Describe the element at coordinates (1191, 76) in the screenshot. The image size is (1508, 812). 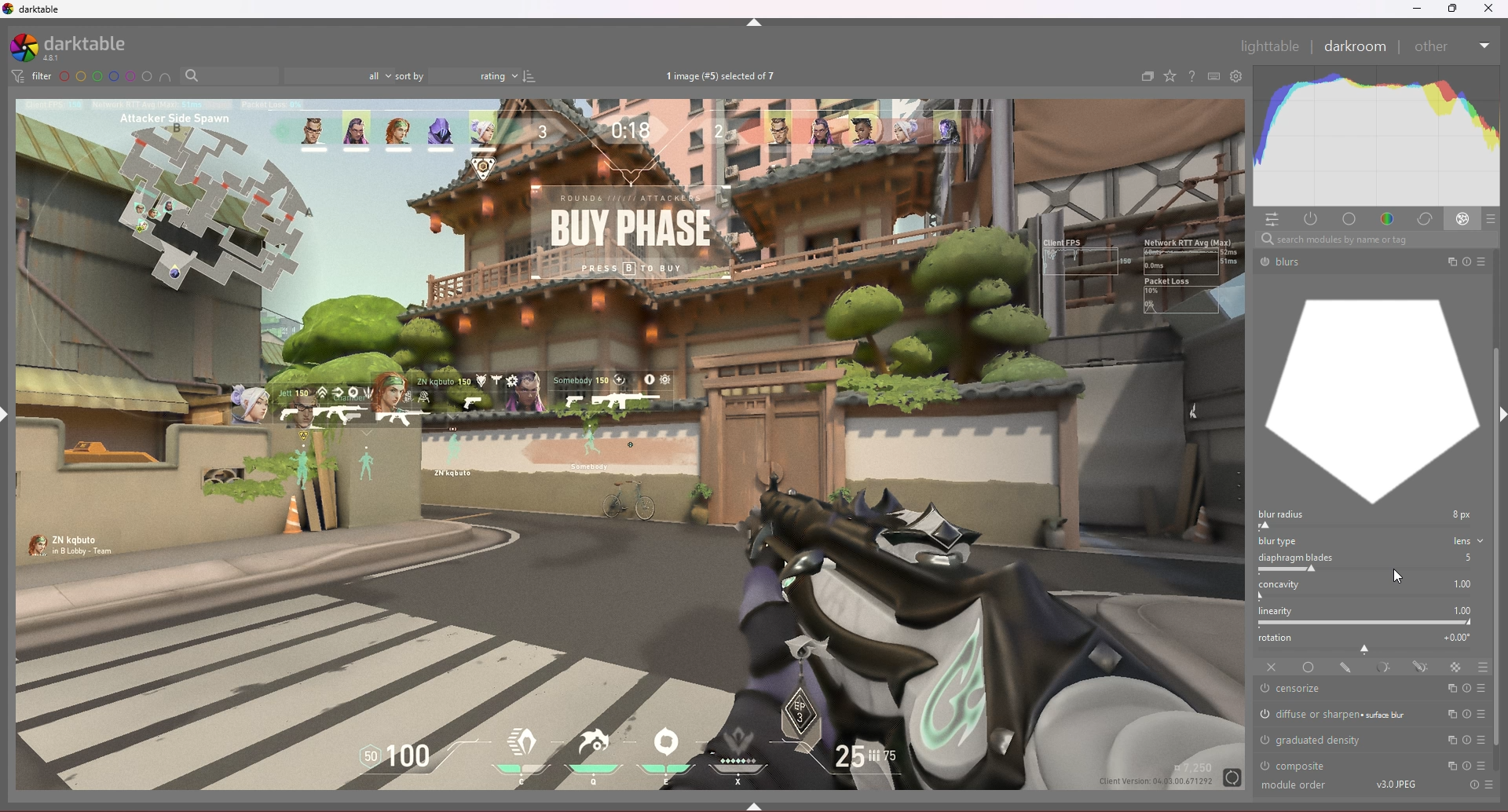
I see `help` at that location.